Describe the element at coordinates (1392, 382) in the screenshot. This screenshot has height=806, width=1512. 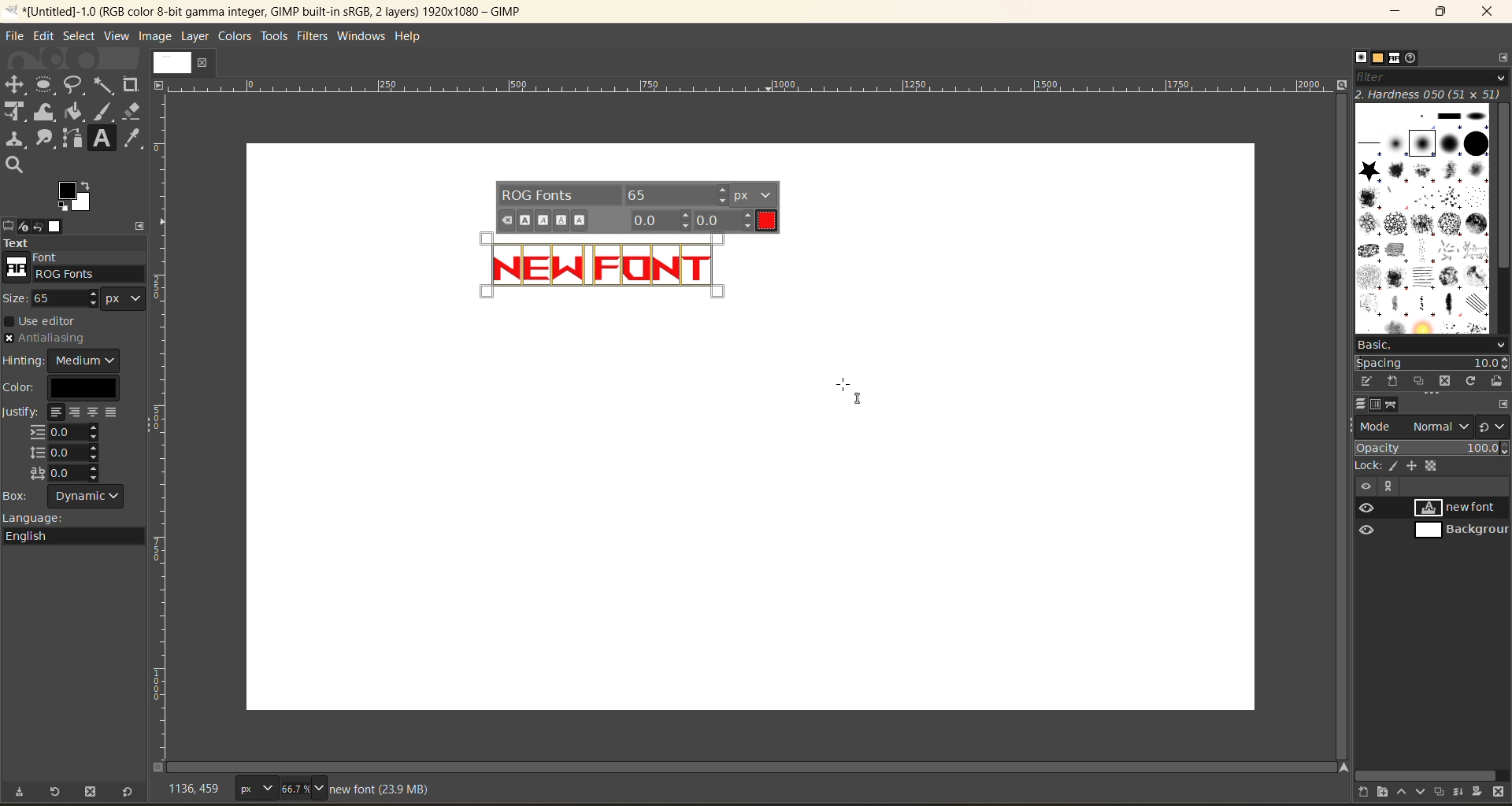
I see `create a new brush` at that location.